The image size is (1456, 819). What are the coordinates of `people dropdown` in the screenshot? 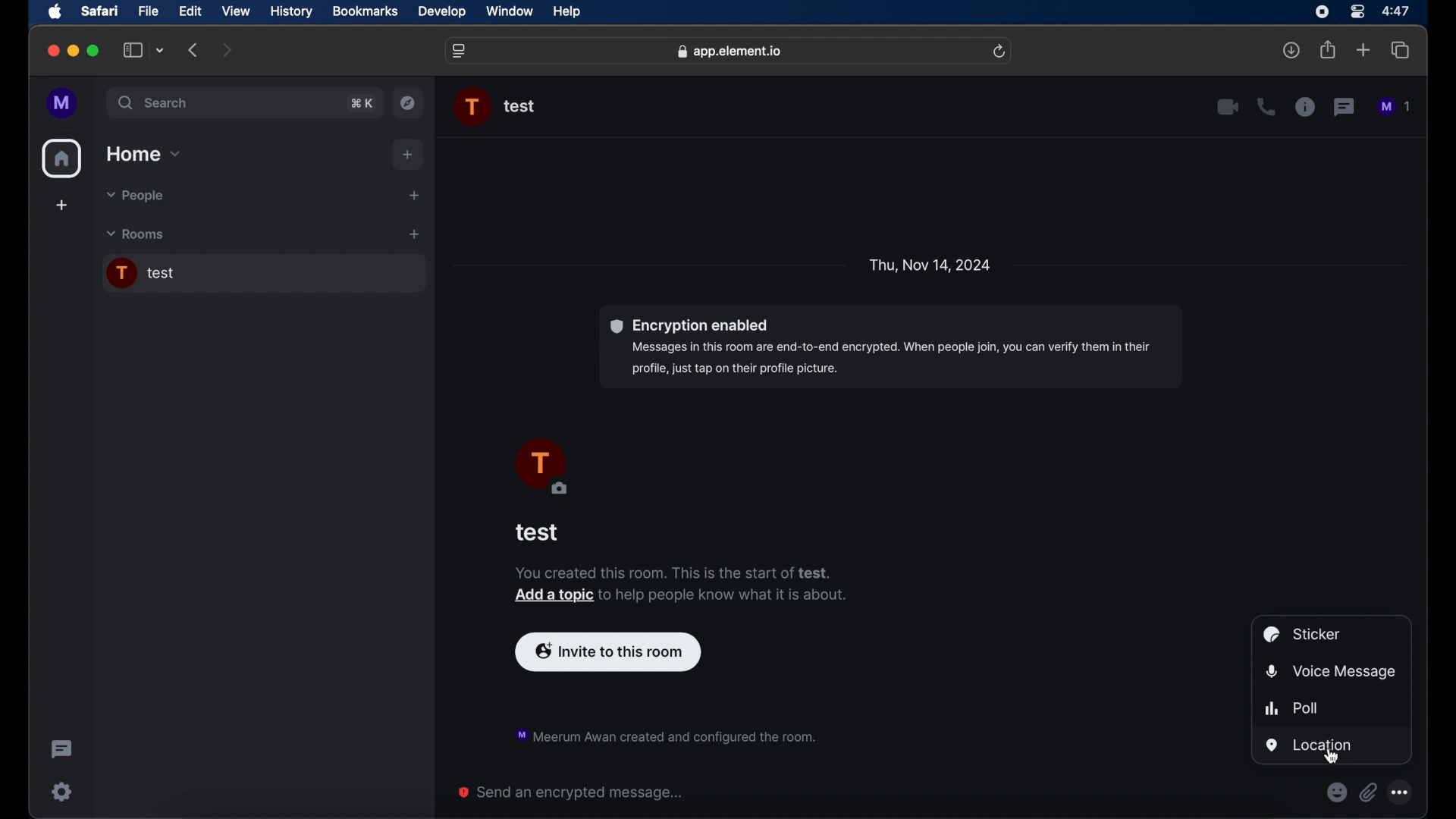 It's located at (133, 196).